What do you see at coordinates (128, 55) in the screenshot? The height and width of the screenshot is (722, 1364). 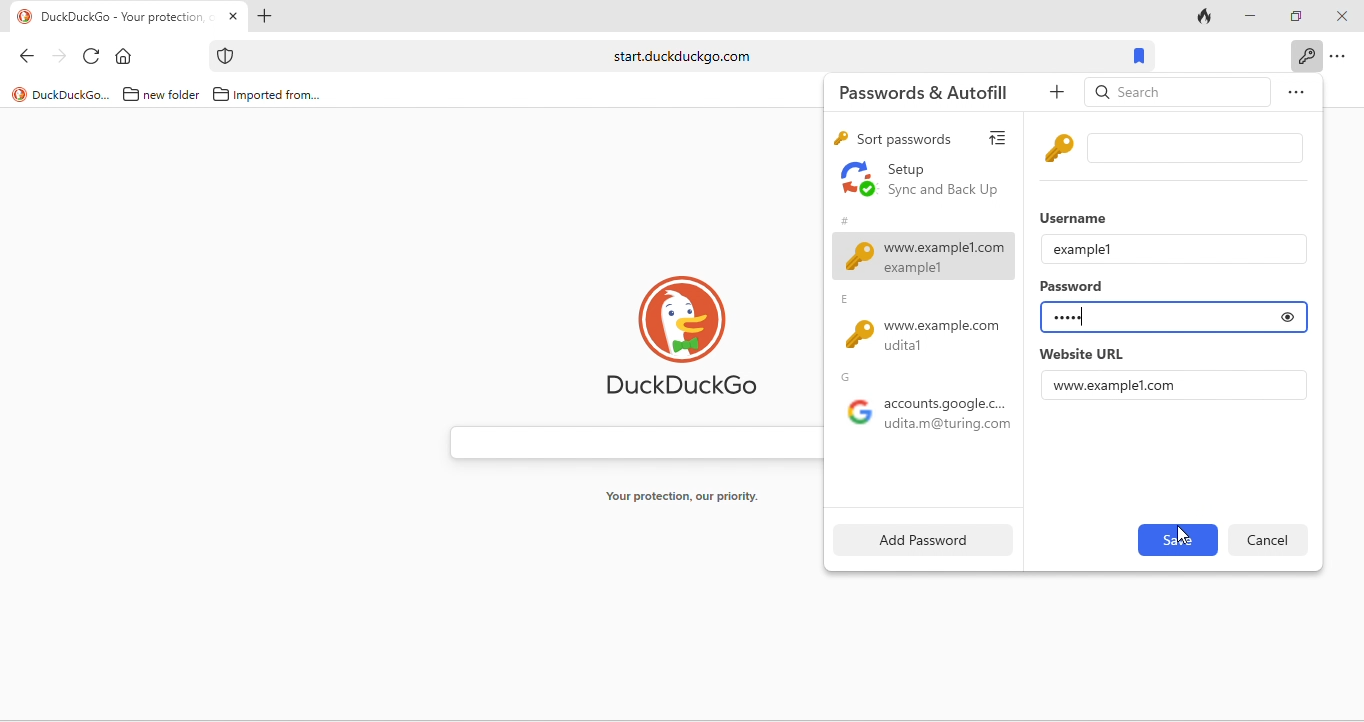 I see `home` at bounding box center [128, 55].